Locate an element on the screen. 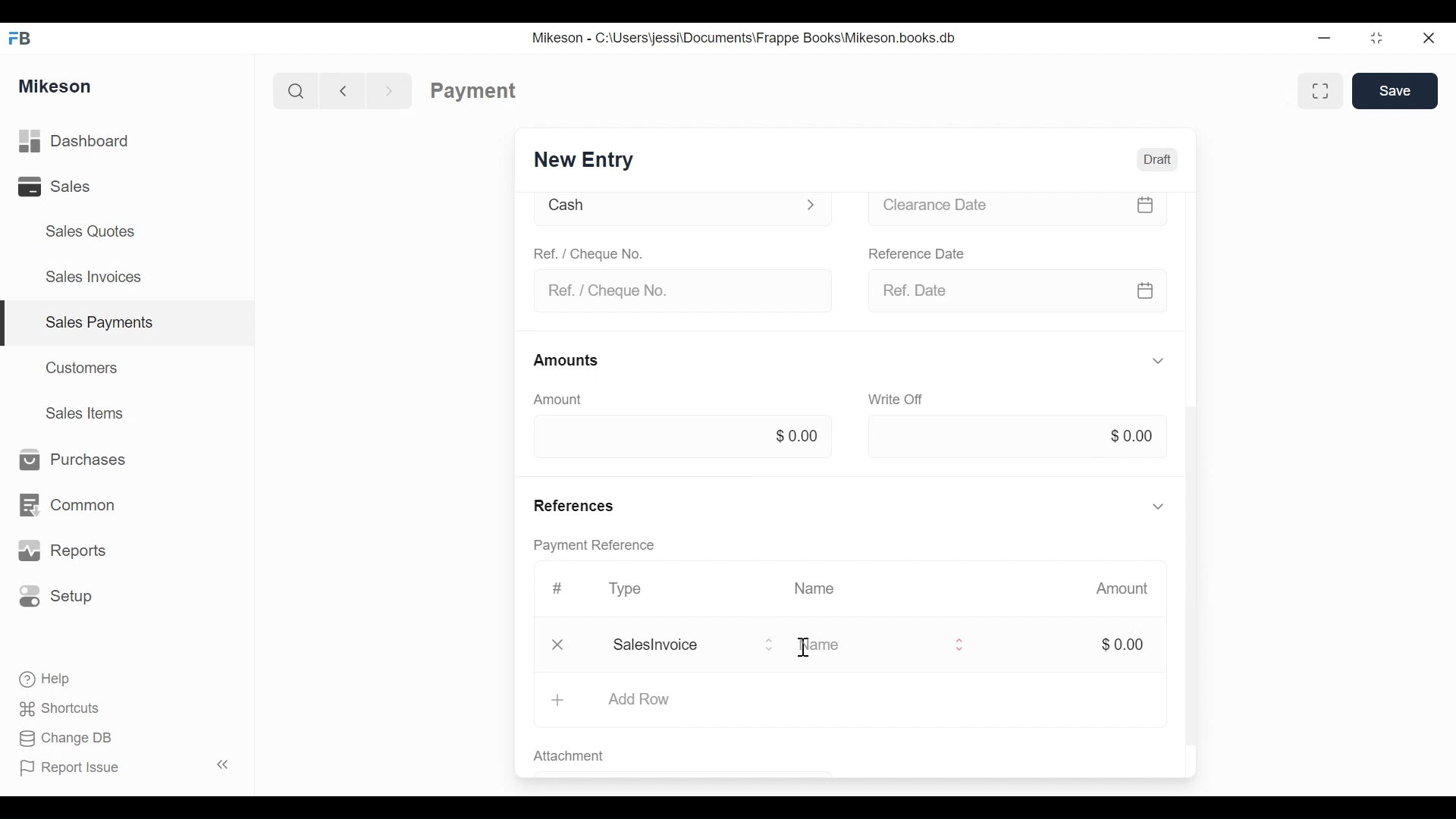  Forward is located at coordinates (394, 89).